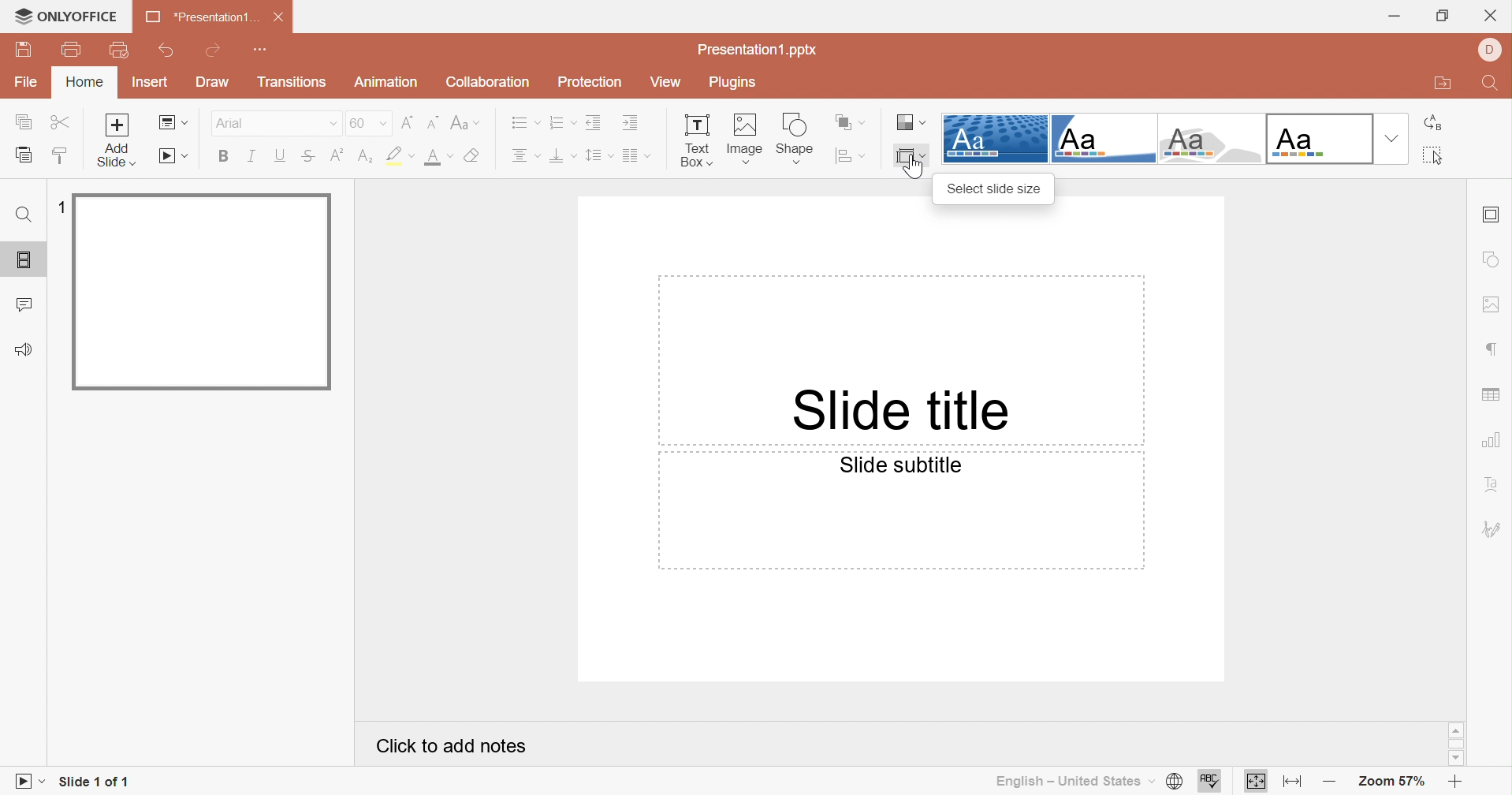  Describe the element at coordinates (58, 207) in the screenshot. I see `1` at that location.